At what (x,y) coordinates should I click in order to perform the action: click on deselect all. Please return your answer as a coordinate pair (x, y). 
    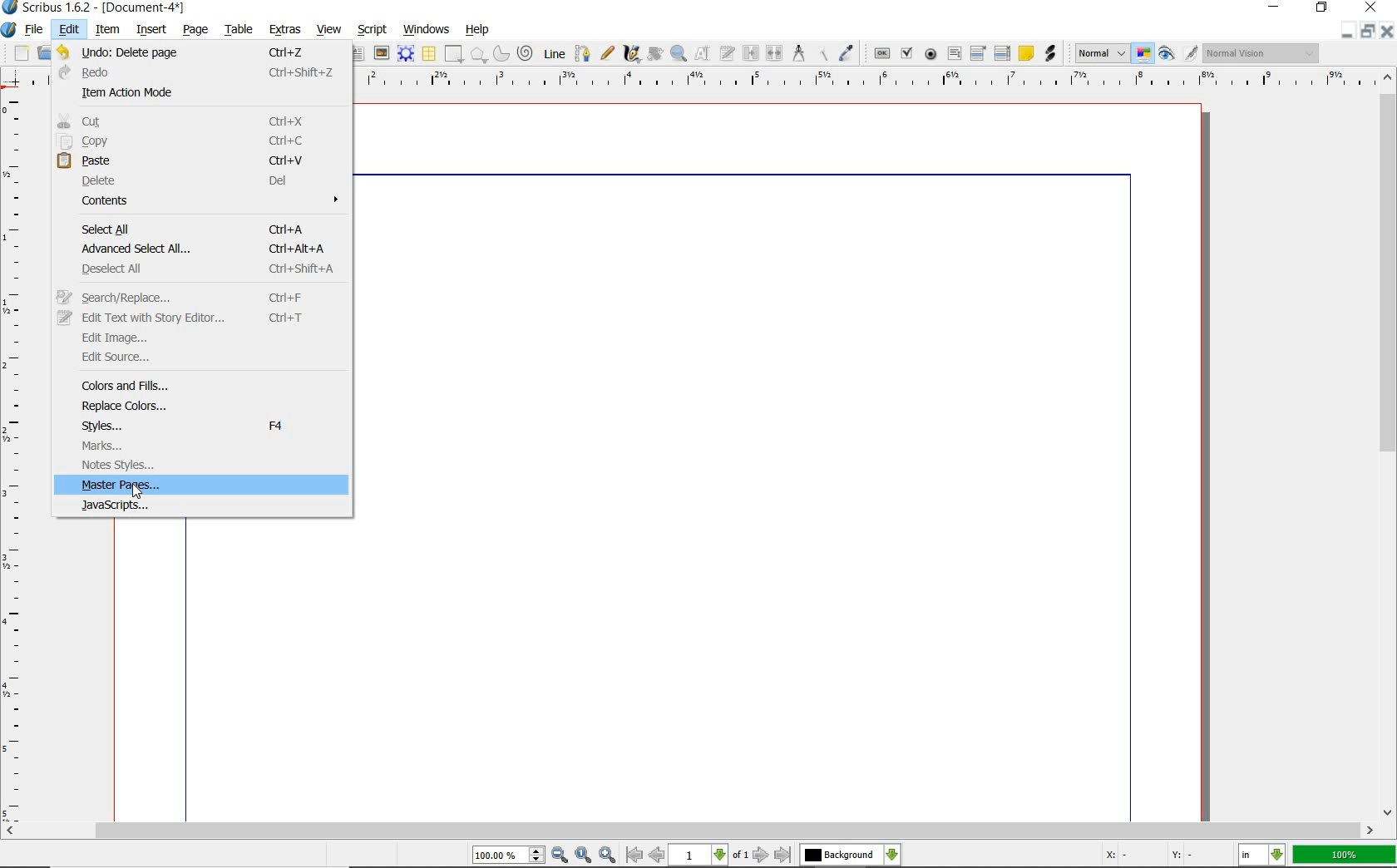
    Looking at the image, I should click on (201, 267).